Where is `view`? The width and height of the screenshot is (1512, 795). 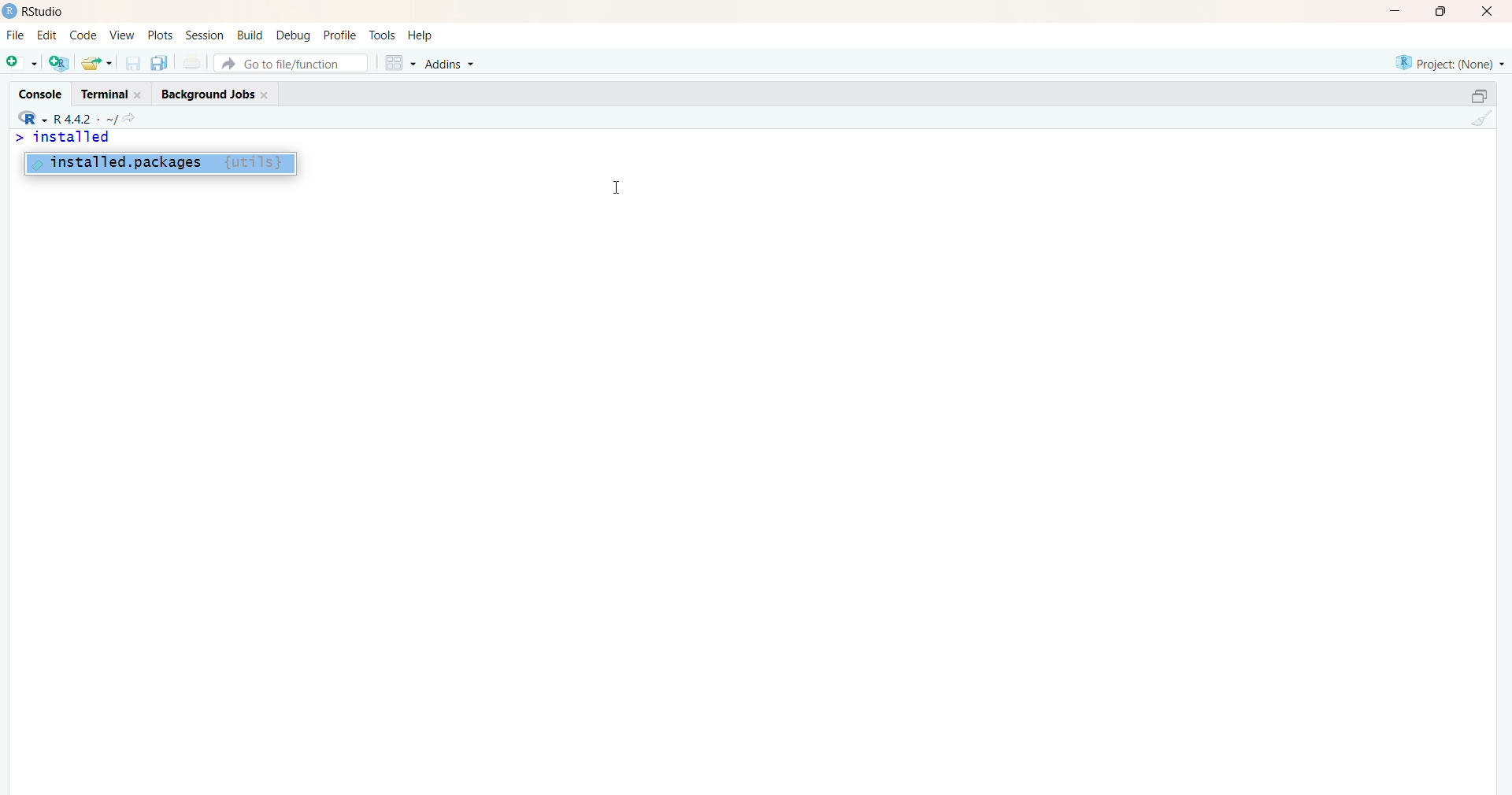 view is located at coordinates (121, 34).